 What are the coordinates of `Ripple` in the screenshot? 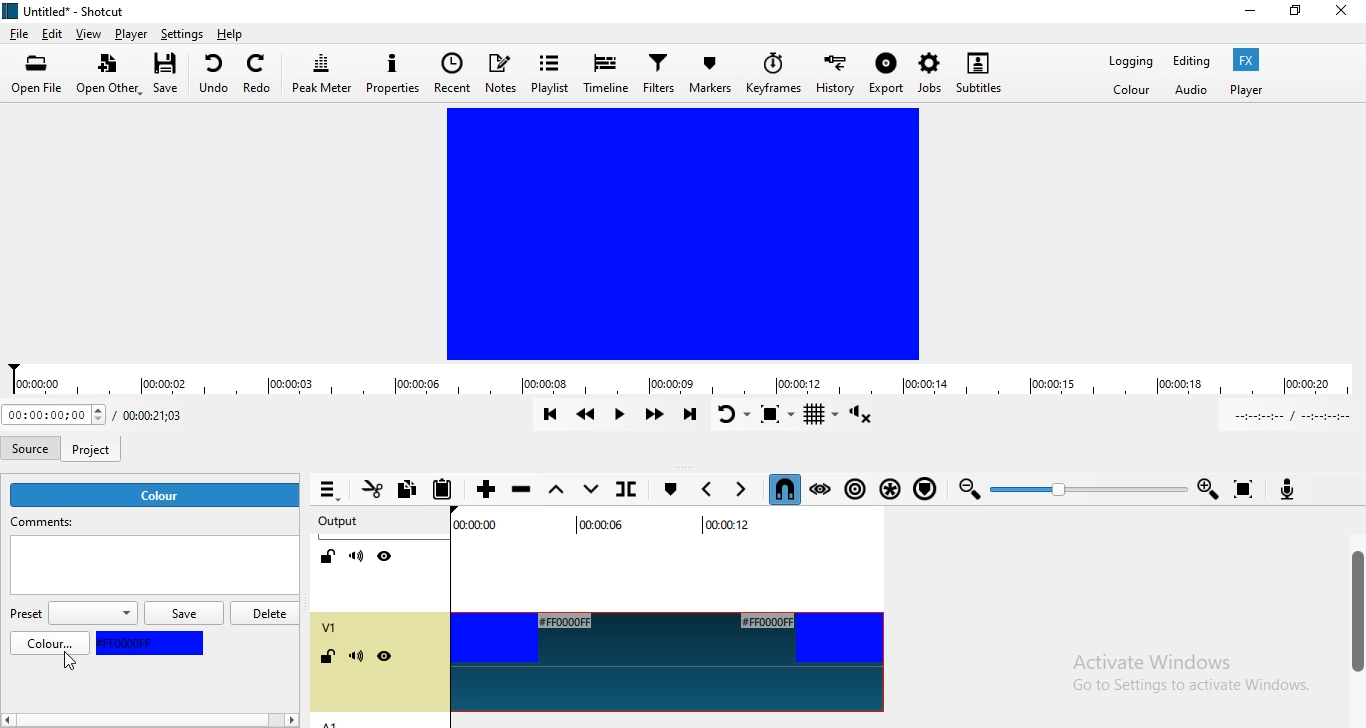 It's located at (856, 491).